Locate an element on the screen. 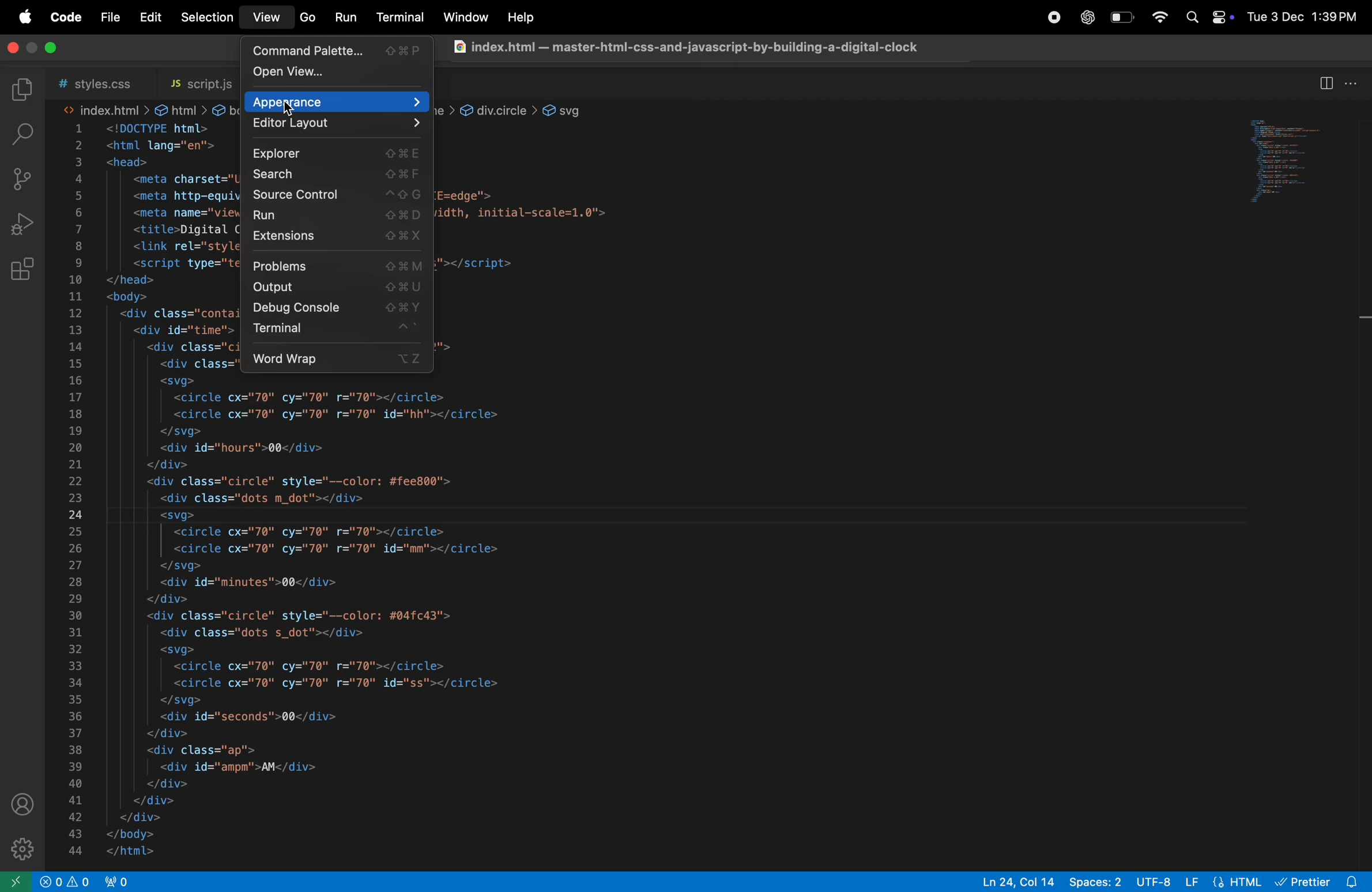 The height and width of the screenshot is (892, 1372). toggle screen is located at coordinates (35, 46).